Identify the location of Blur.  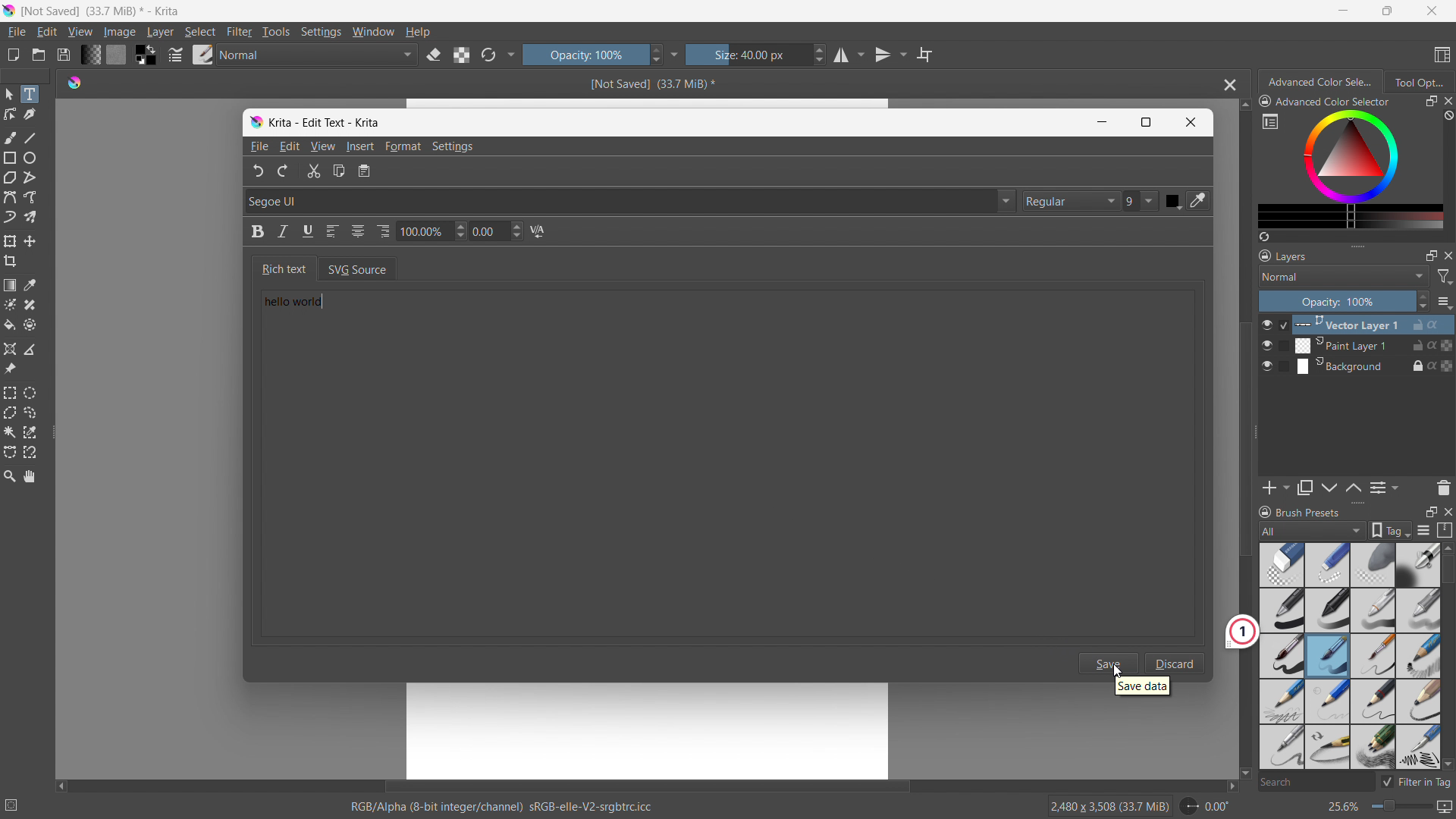
(1282, 564).